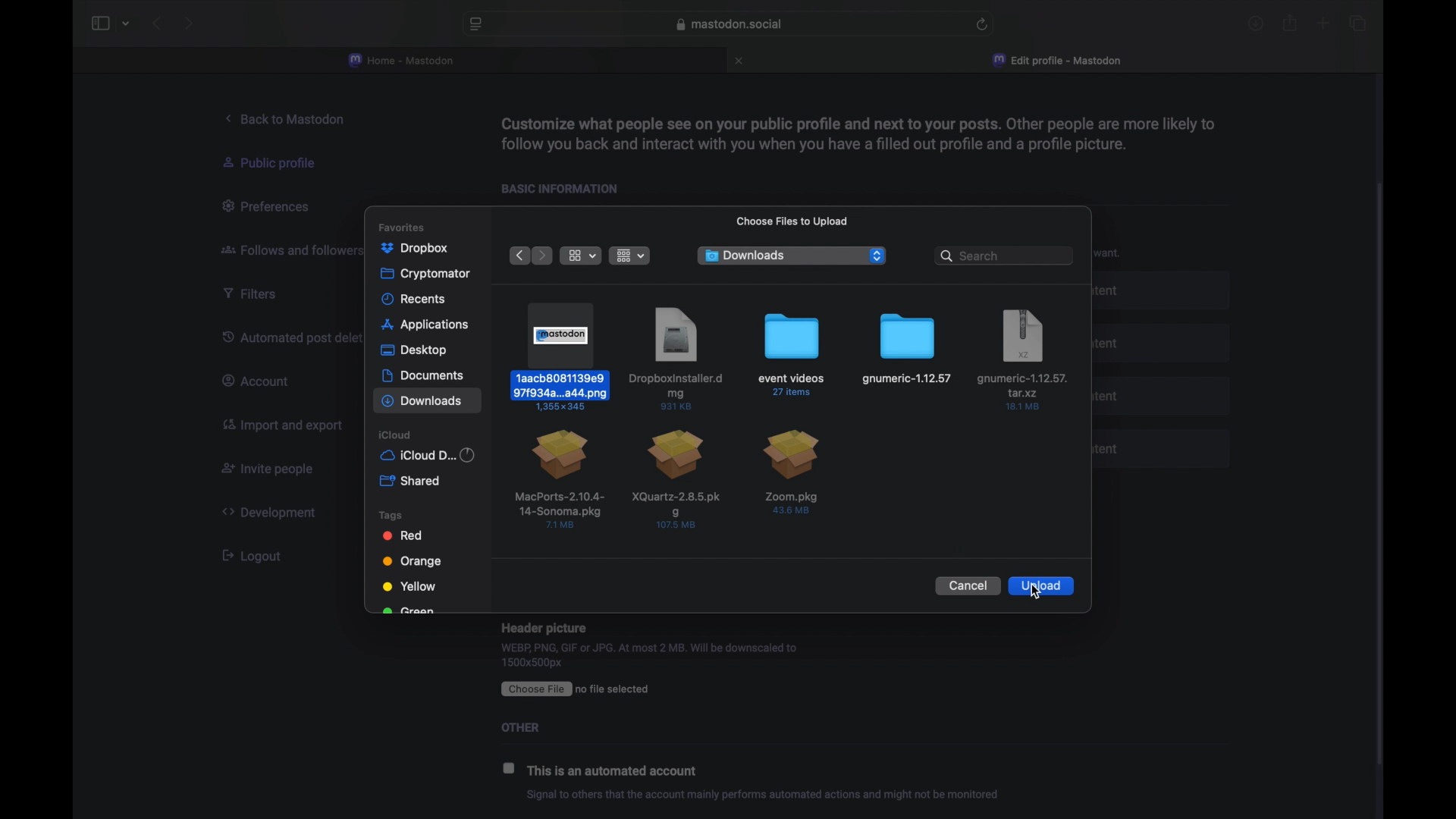 Image resolution: width=1456 pixels, height=819 pixels. Describe the element at coordinates (428, 455) in the screenshot. I see `iCloud d...` at that location.